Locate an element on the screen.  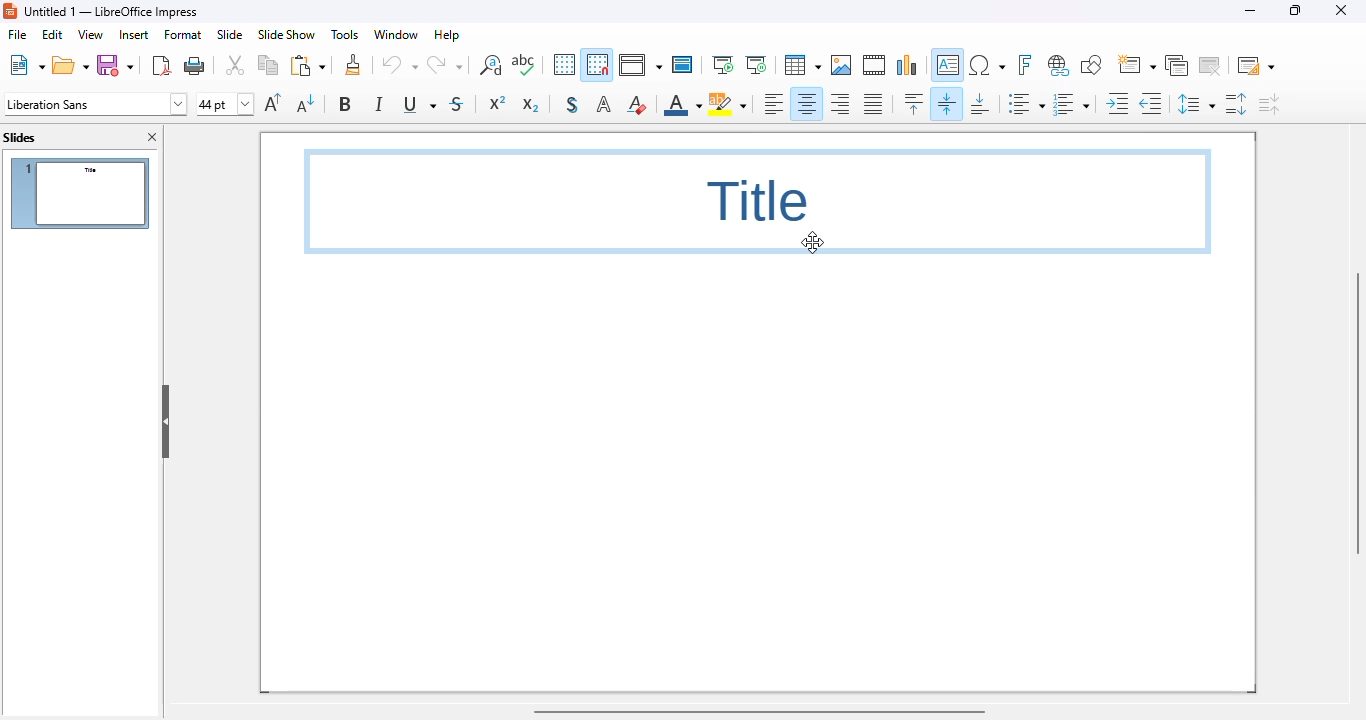
maximize is located at coordinates (1296, 11).